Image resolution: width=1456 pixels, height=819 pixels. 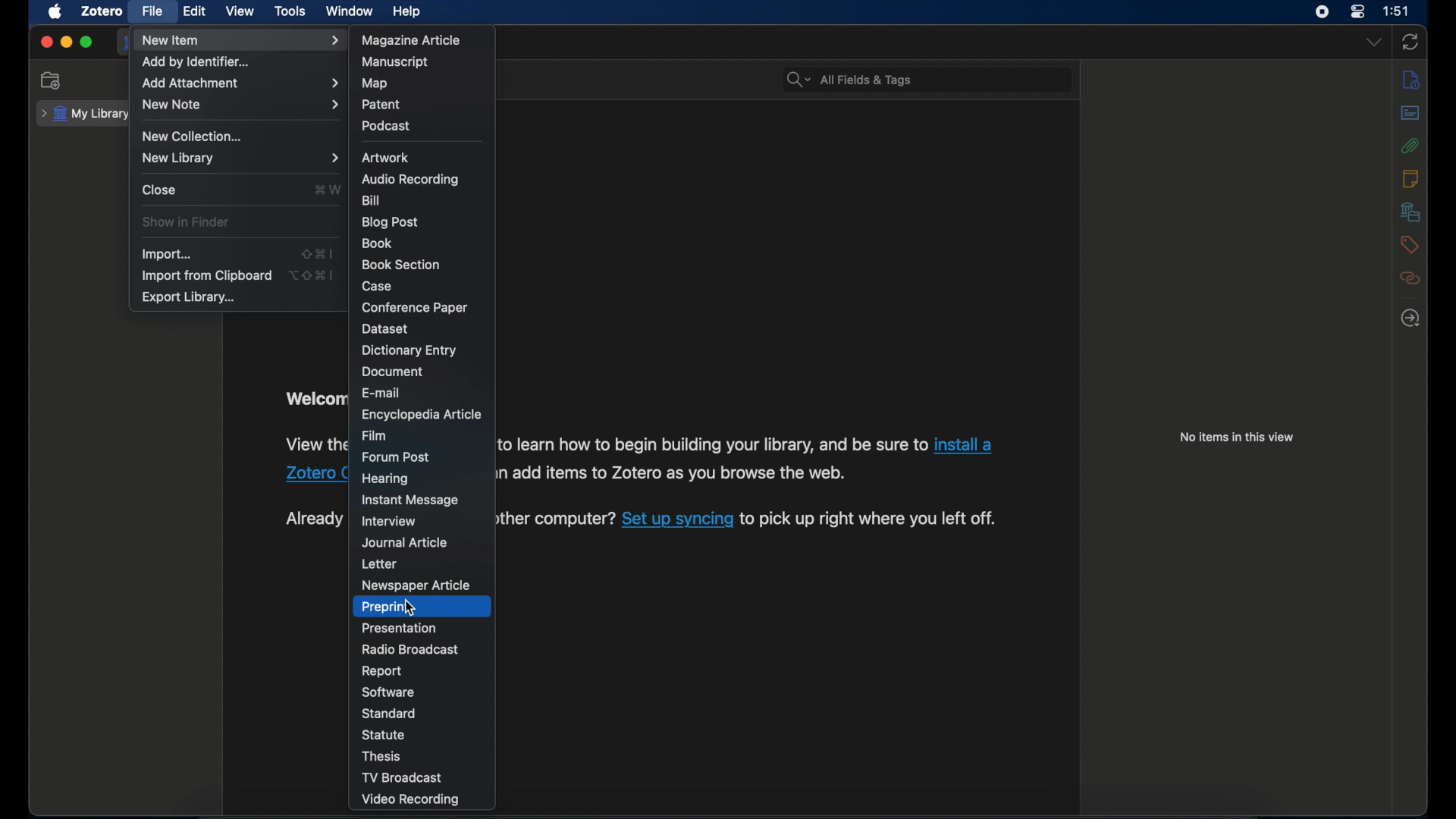 I want to click on edit, so click(x=196, y=12).